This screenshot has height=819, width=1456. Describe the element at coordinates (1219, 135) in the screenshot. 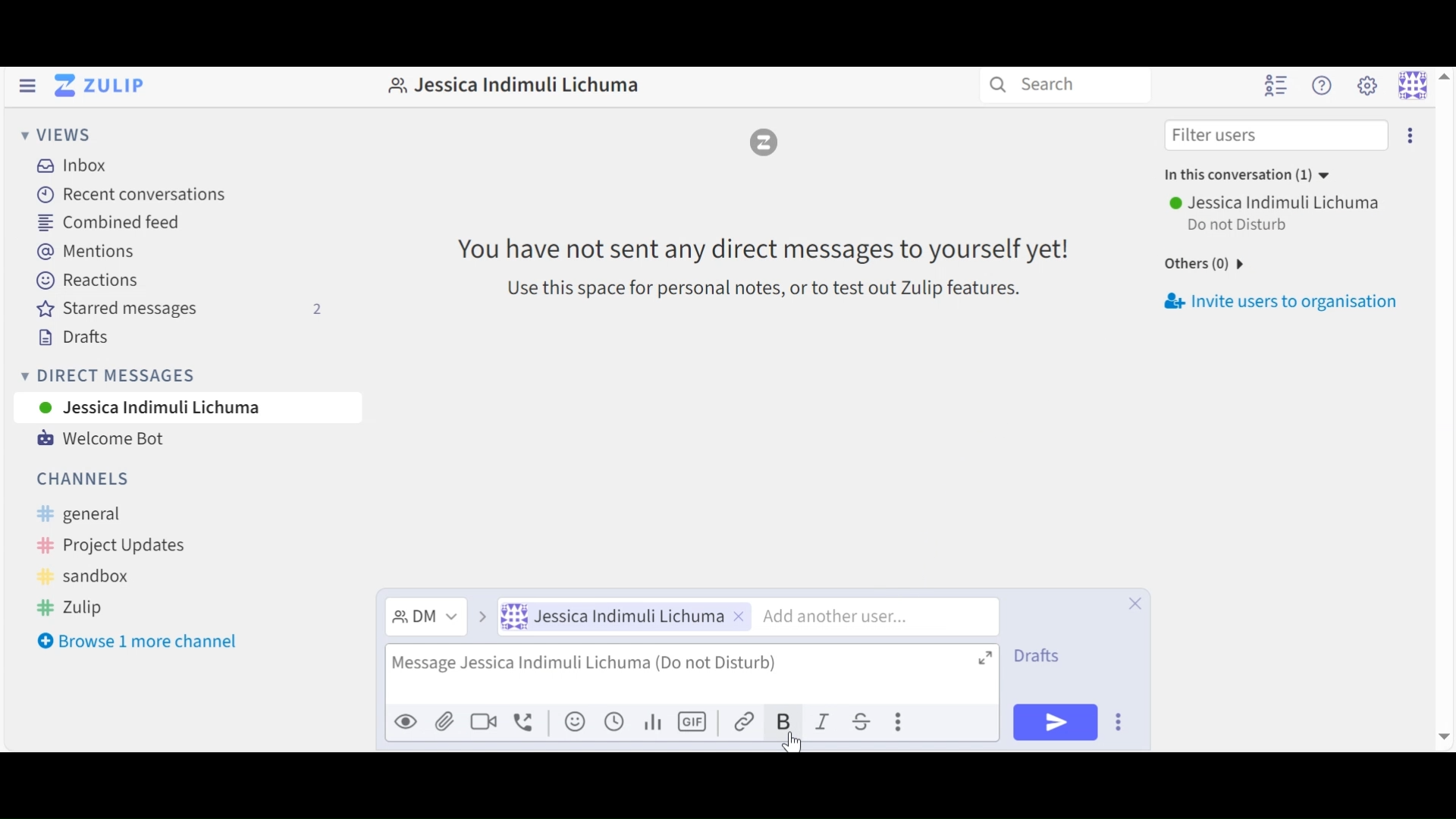

I see `filter users` at that location.